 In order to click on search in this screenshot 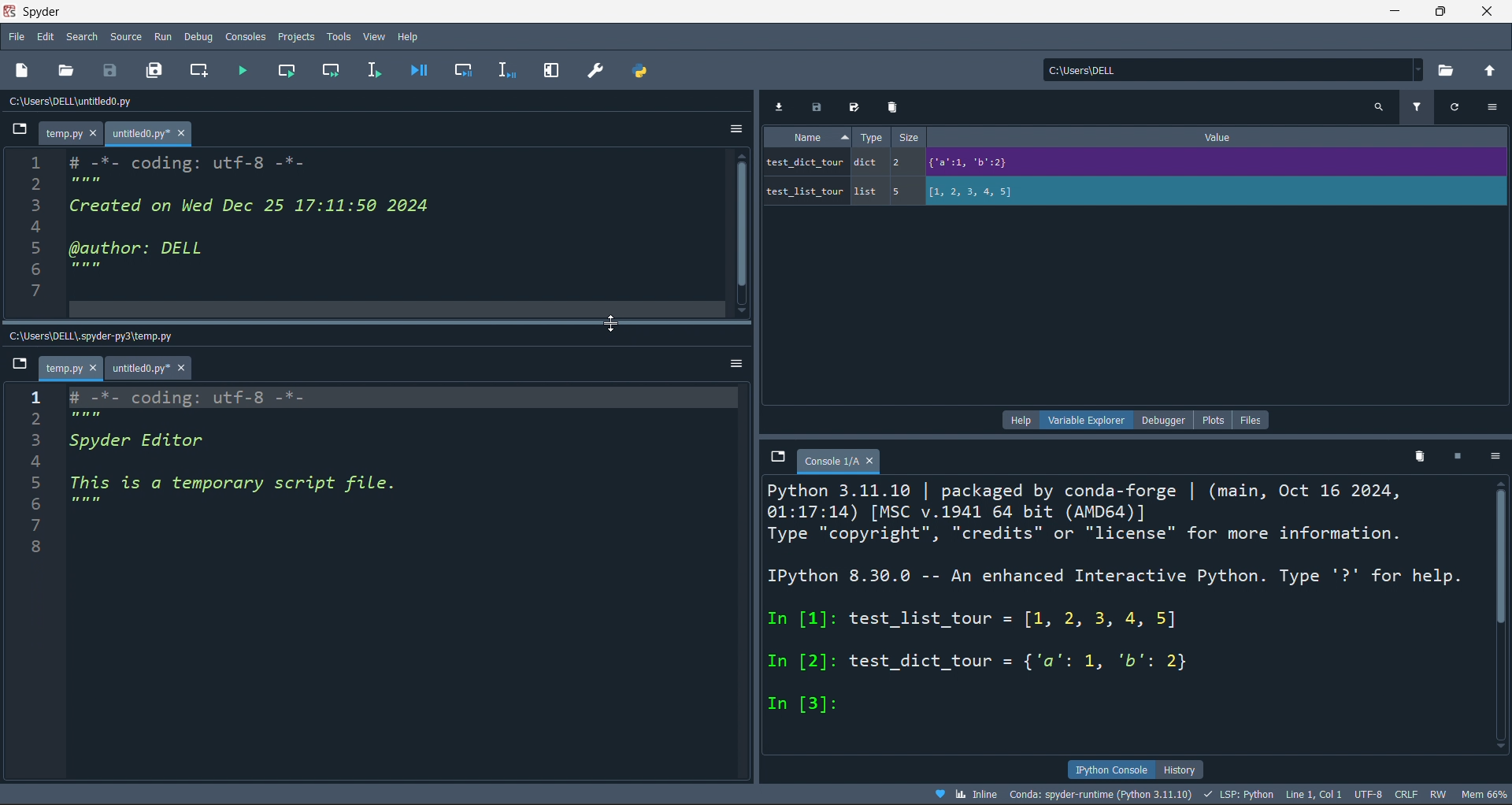, I will do `click(81, 36)`.